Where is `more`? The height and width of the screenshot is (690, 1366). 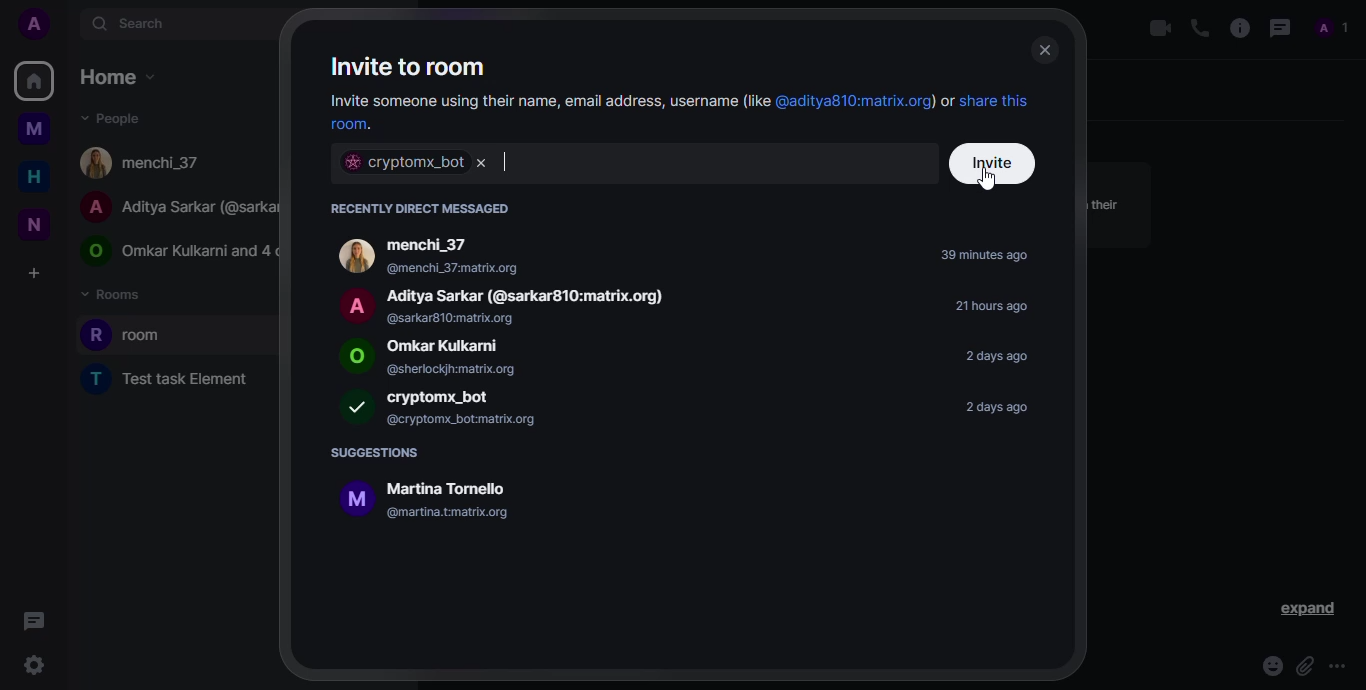
more is located at coordinates (1346, 664).